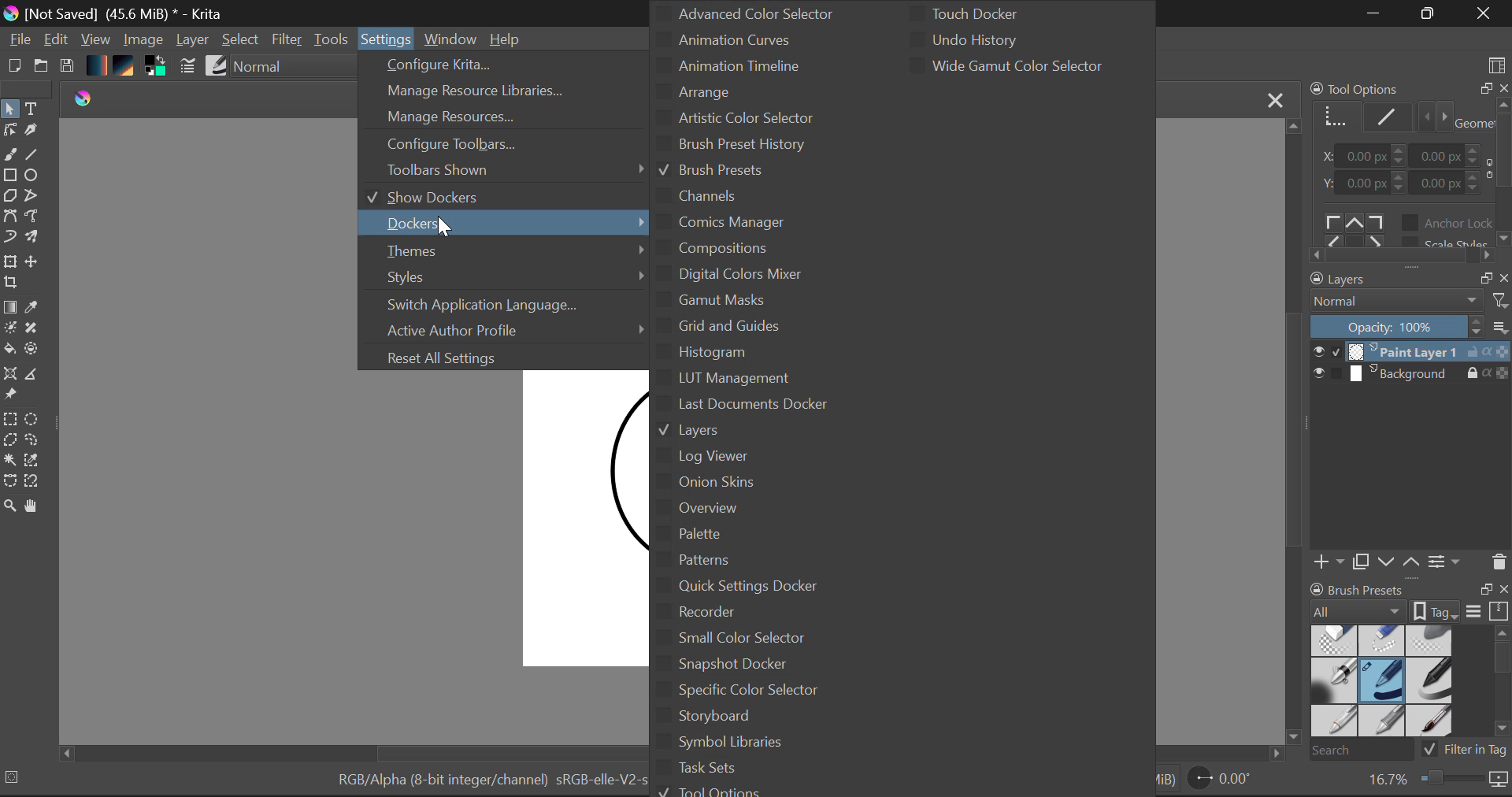 This screenshot has width=1512, height=797. Describe the element at coordinates (36, 132) in the screenshot. I see `Calligraphic Tool` at that location.